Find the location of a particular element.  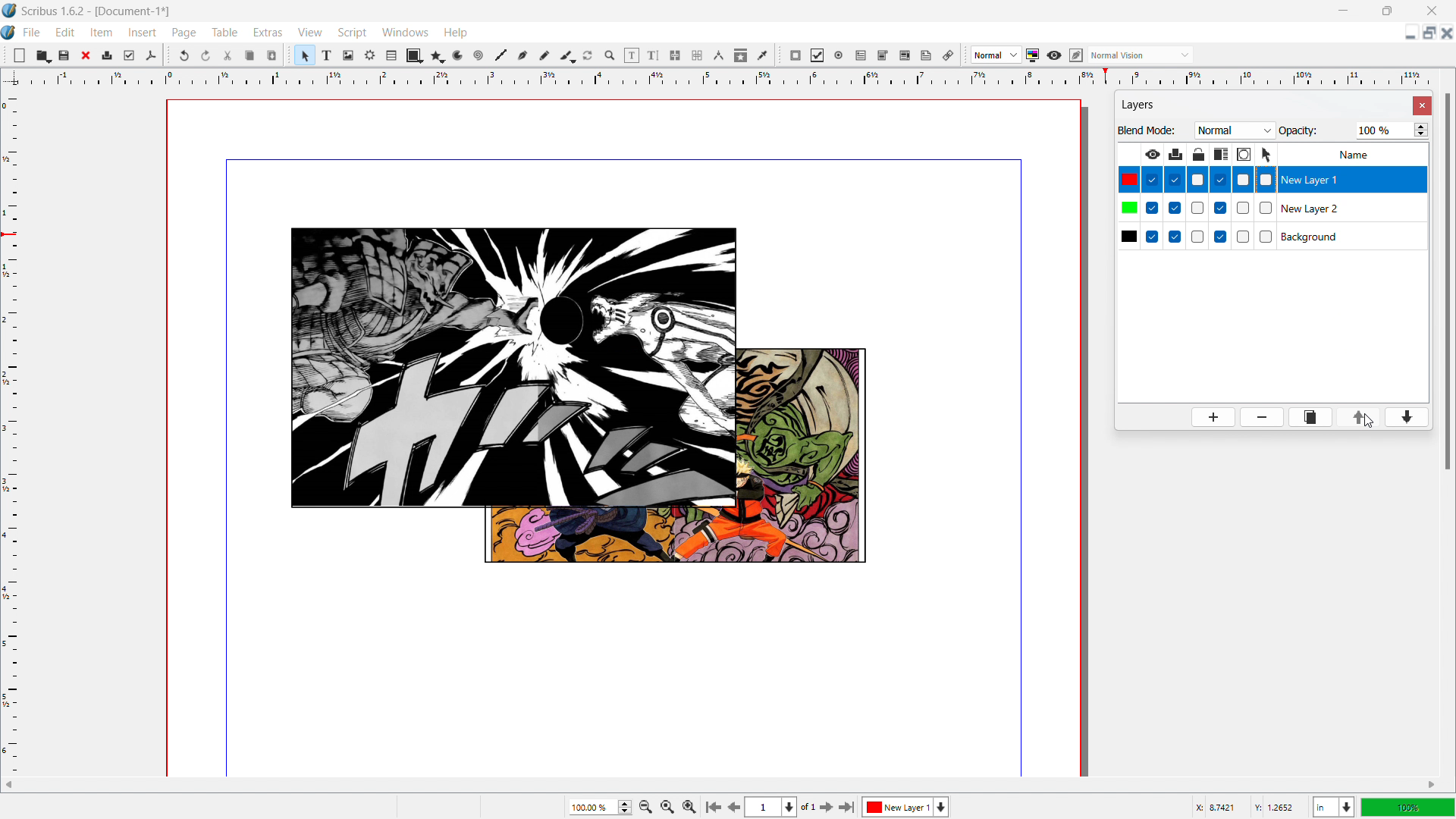

redo is located at coordinates (206, 55).